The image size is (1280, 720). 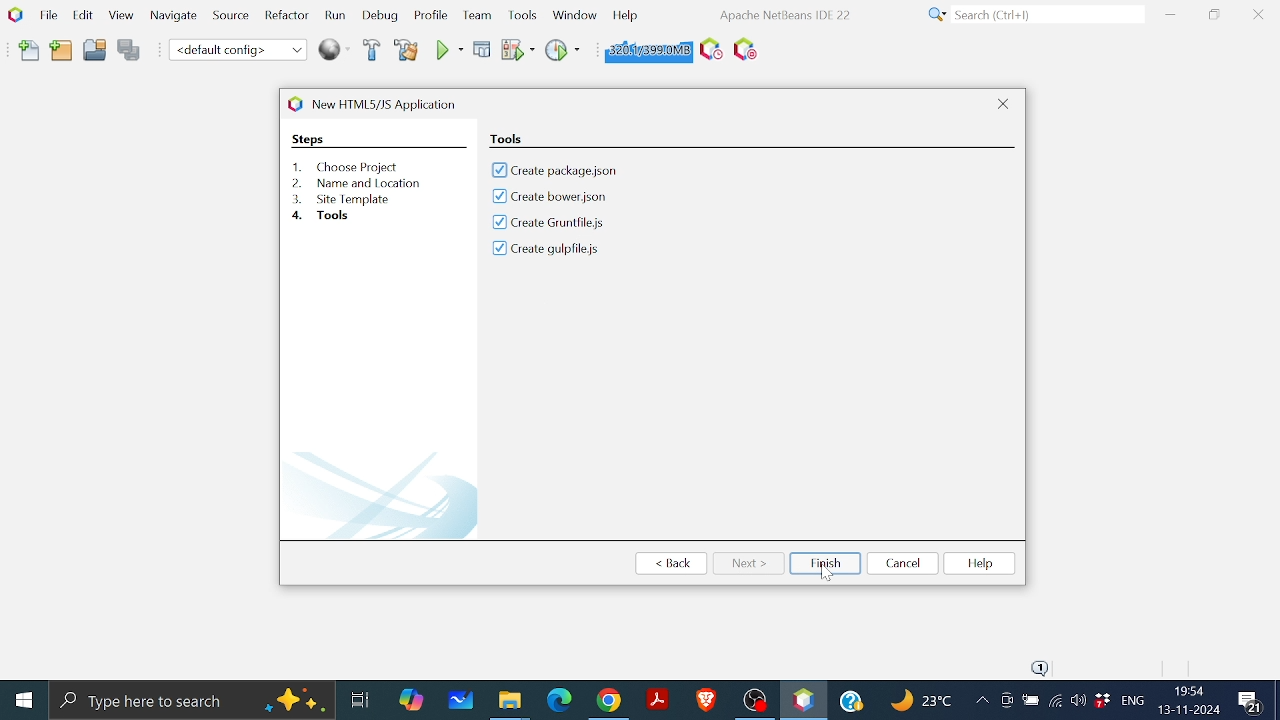 I want to click on Debug, so click(x=381, y=16).